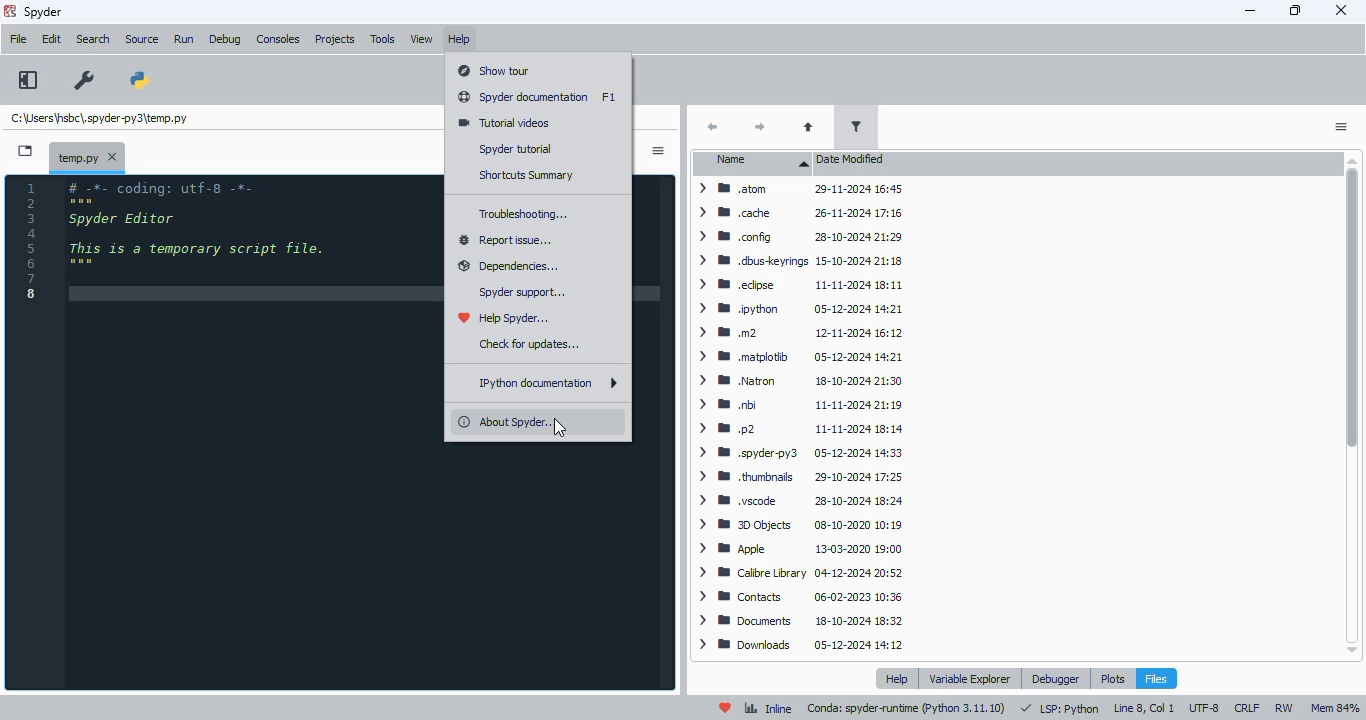 This screenshot has width=1366, height=720. I want to click on plots, so click(1113, 678).